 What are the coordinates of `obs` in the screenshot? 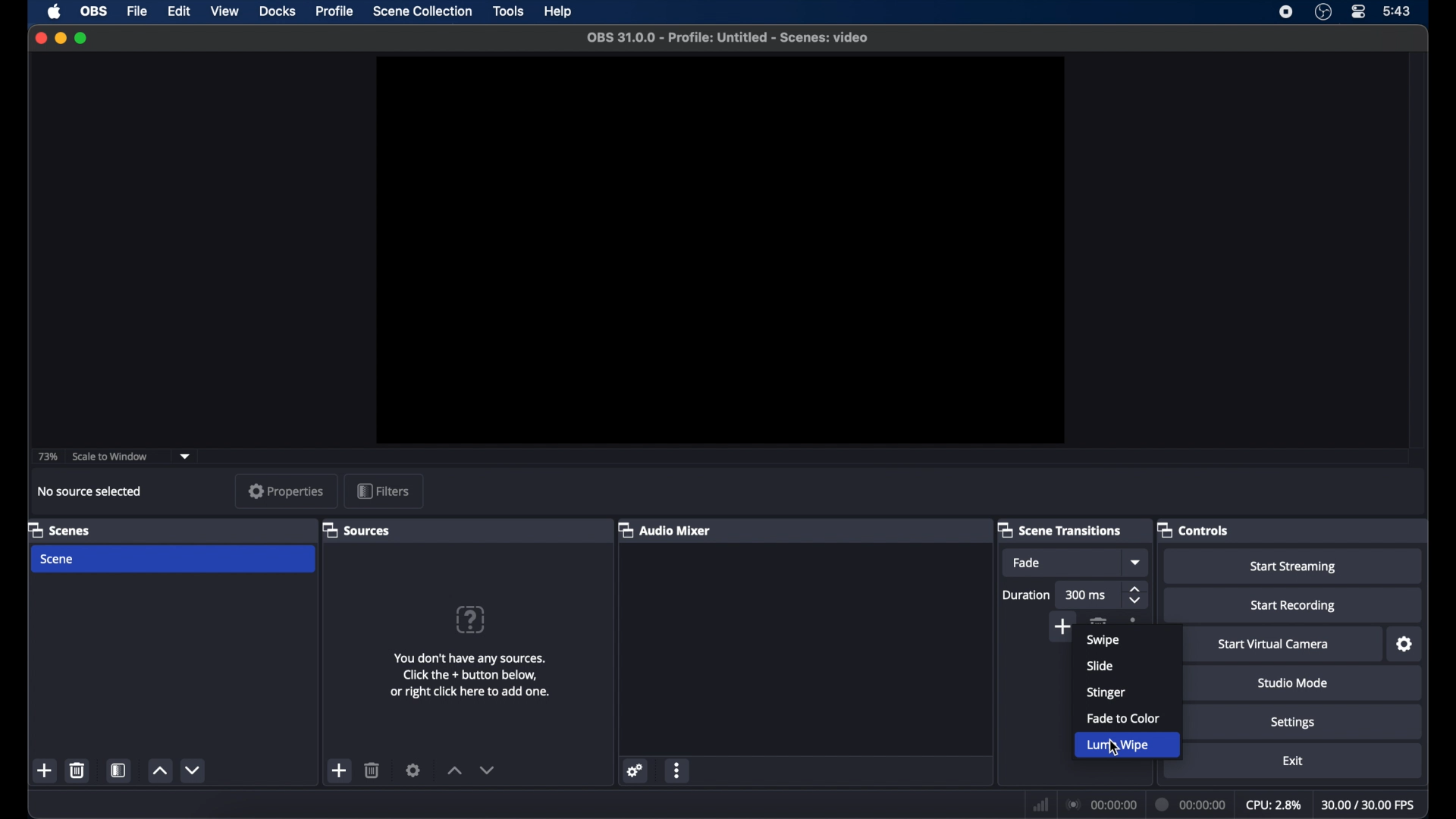 It's located at (94, 11).